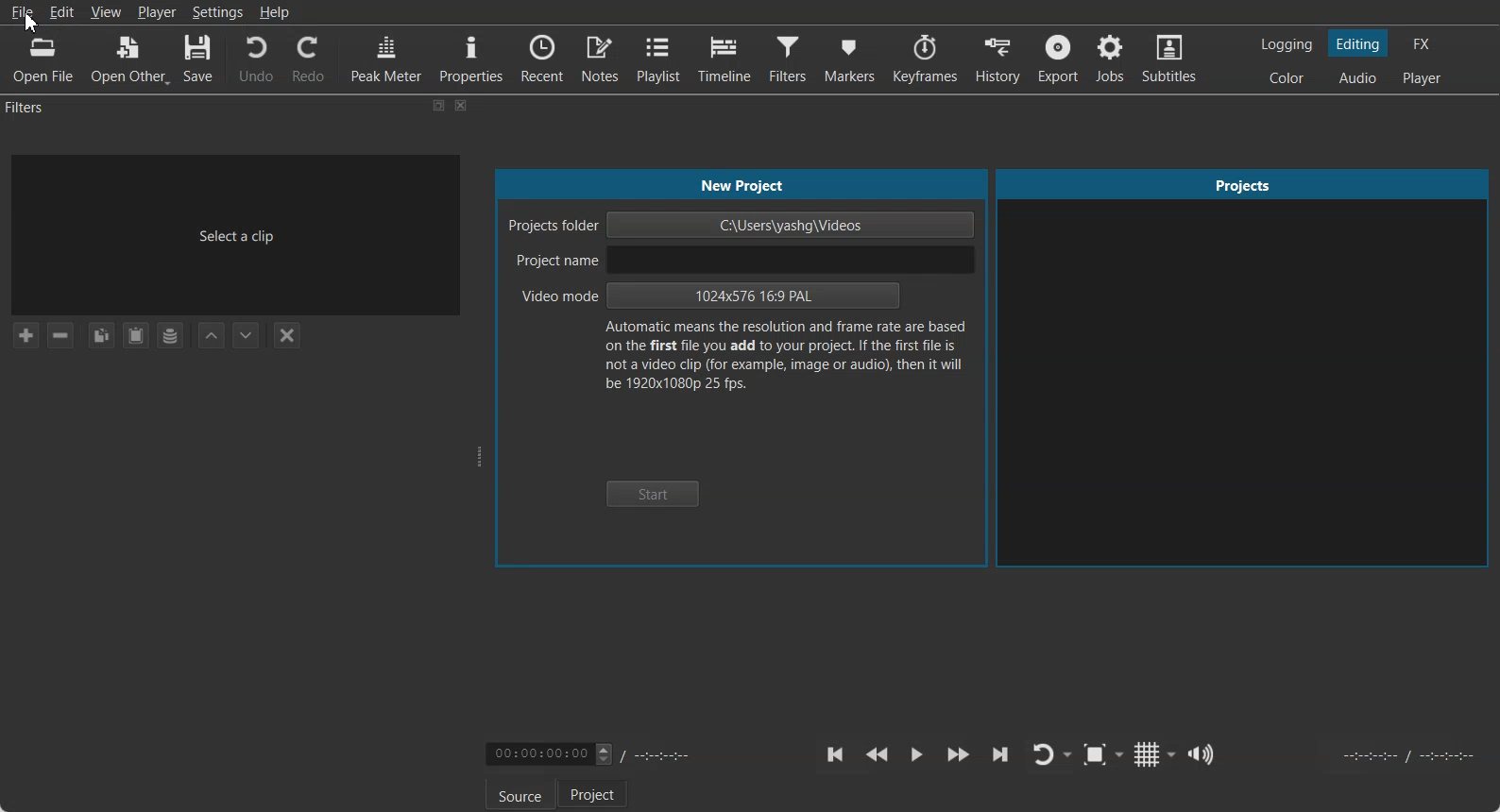 Image resolution: width=1500 pixels, height=812 pixels. What do you see at coordinates (788, 59) in the screenshot?
I see `Filter` at bounding box center [788, 59].